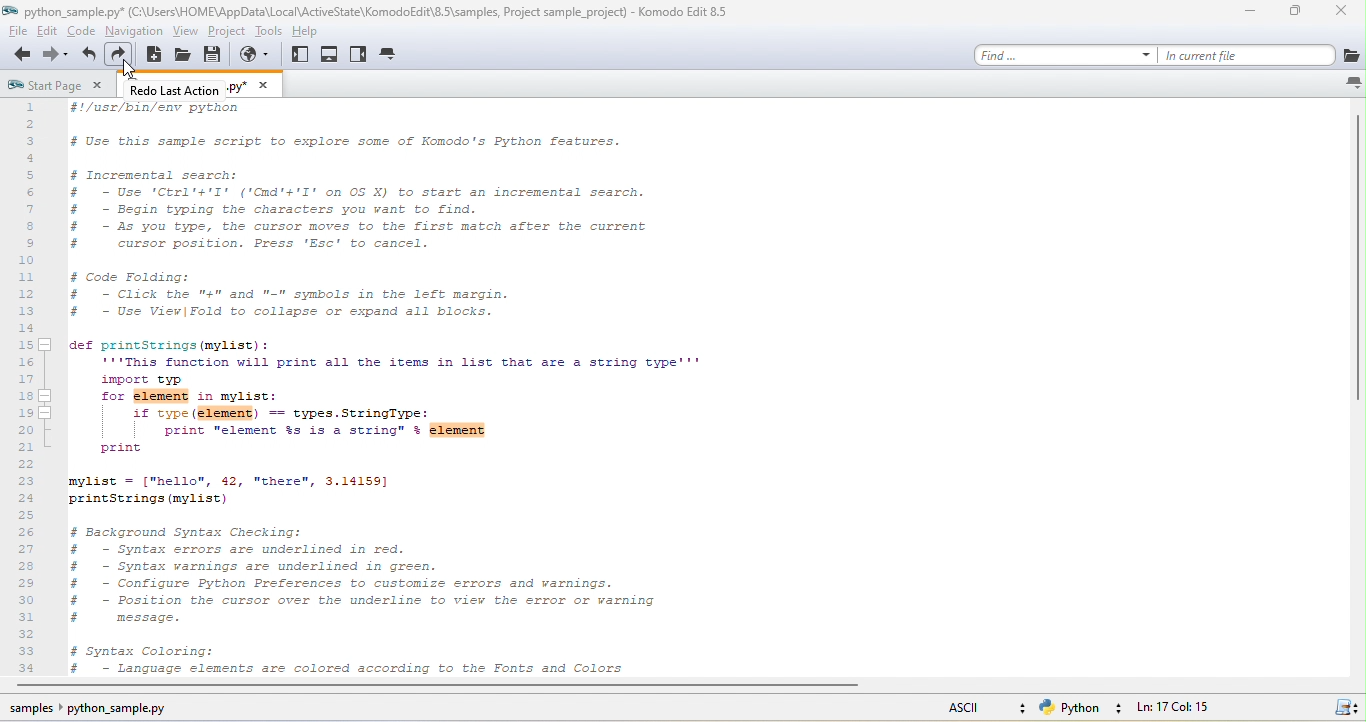 The width and height of the screenshot is (1366, 722). I want to click on list all tabs, so click(1343, 87).